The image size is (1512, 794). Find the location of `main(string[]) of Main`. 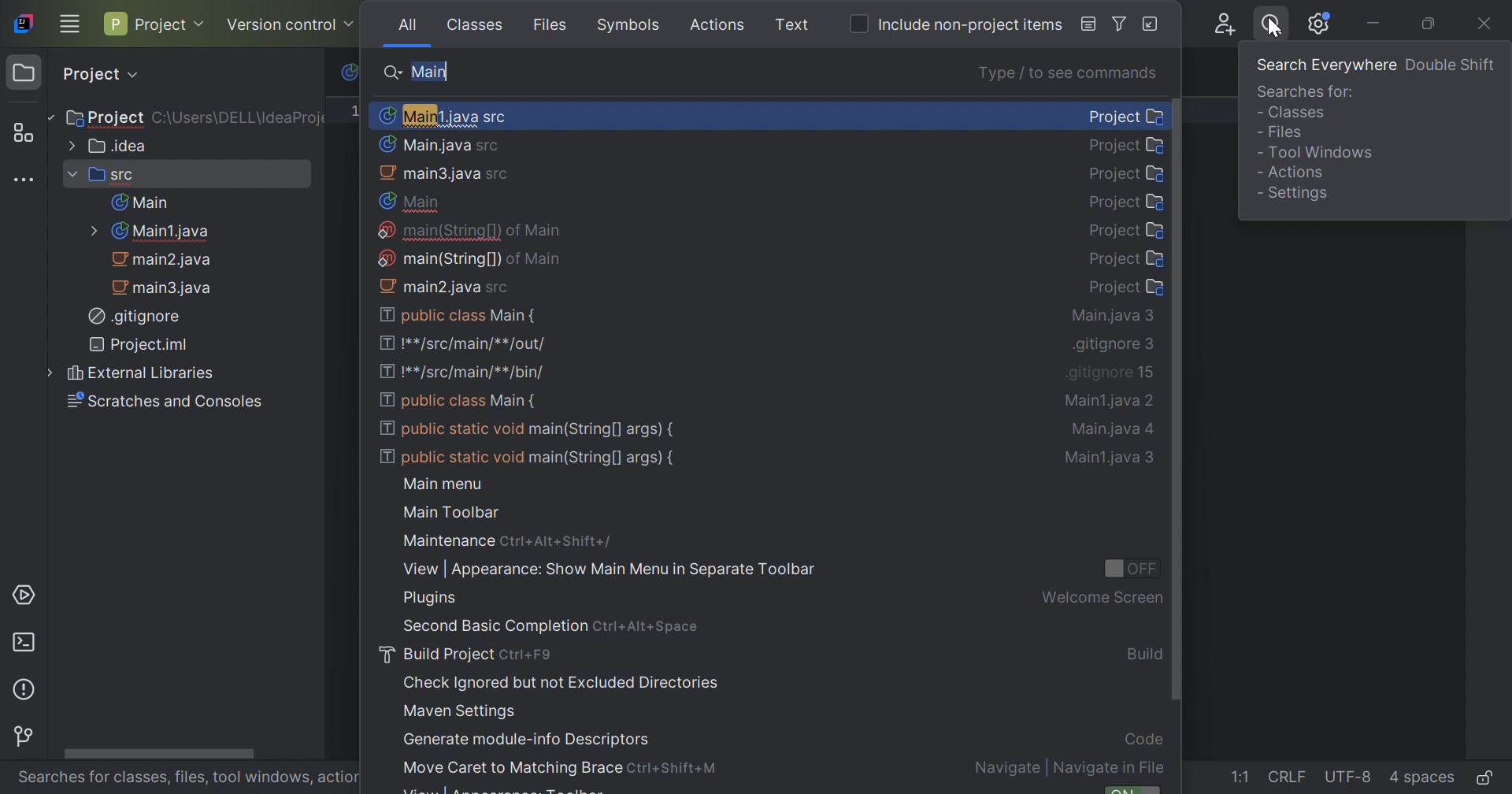

main(string[]) of Main is located at coordinates (471, 231).